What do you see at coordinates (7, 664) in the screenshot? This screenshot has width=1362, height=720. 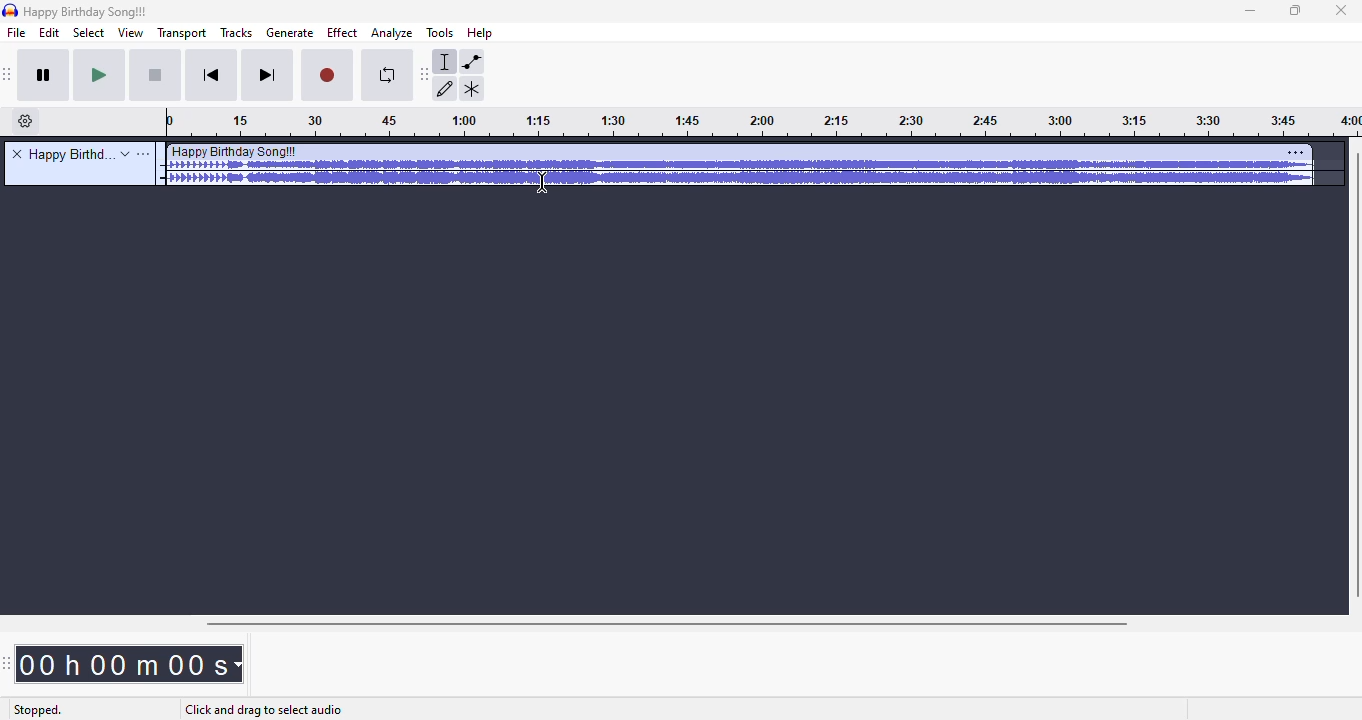 I see `audacity time toolbar` at bounding box center [7, 664].